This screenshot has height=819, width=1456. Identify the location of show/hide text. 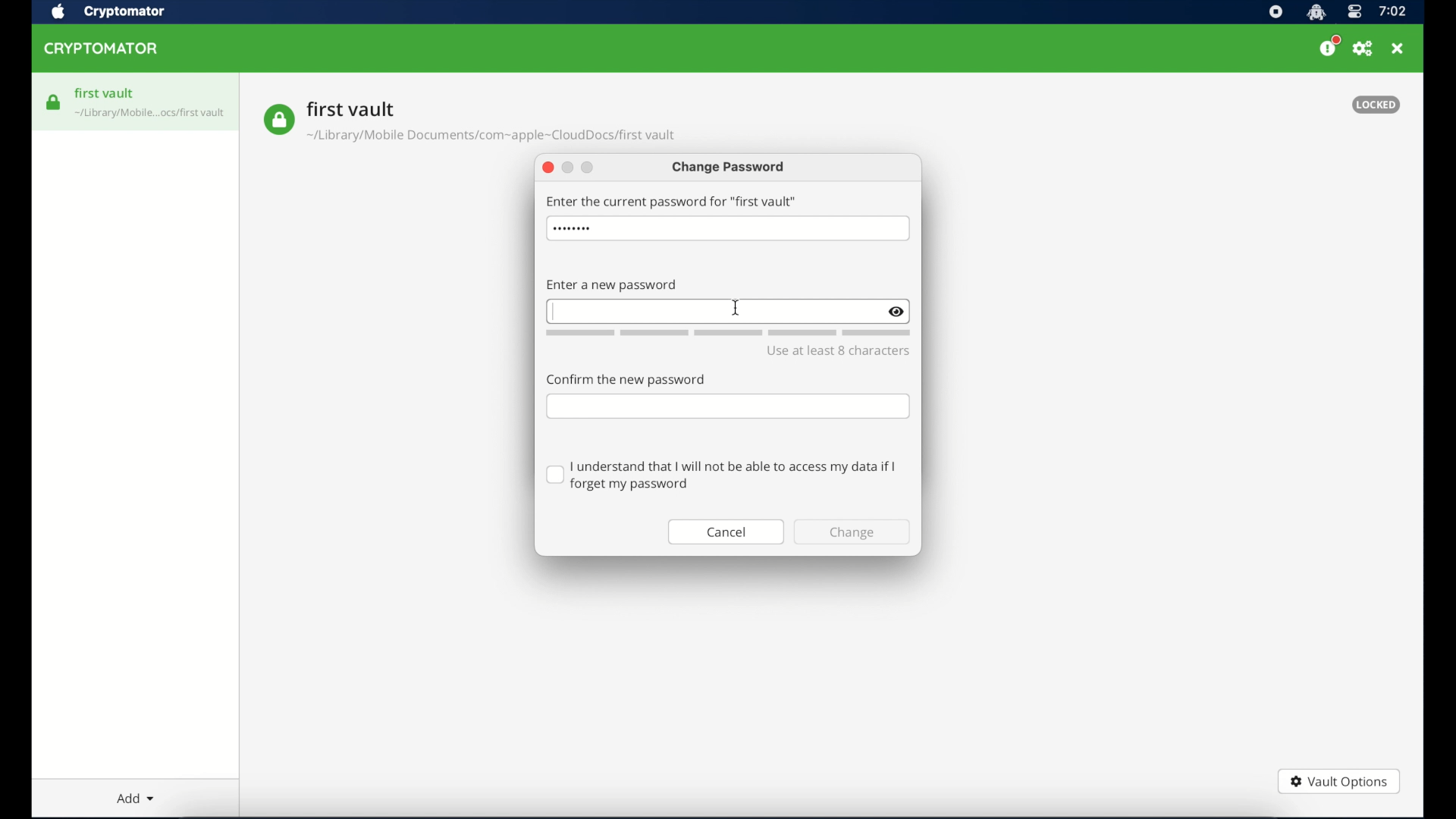
(895, 312).